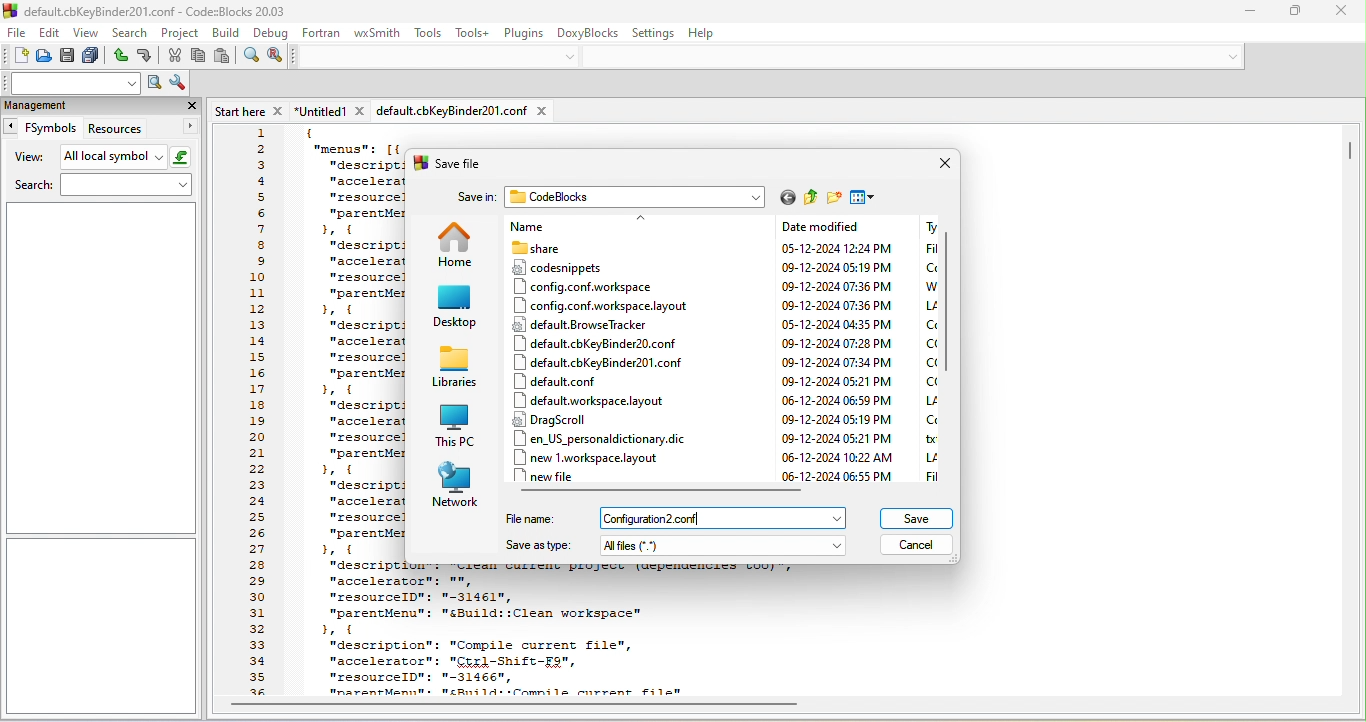 The image size is (1366, 722). Describe the element at coordinates (154, 83) in the screenshot. I see `run search` at that location.